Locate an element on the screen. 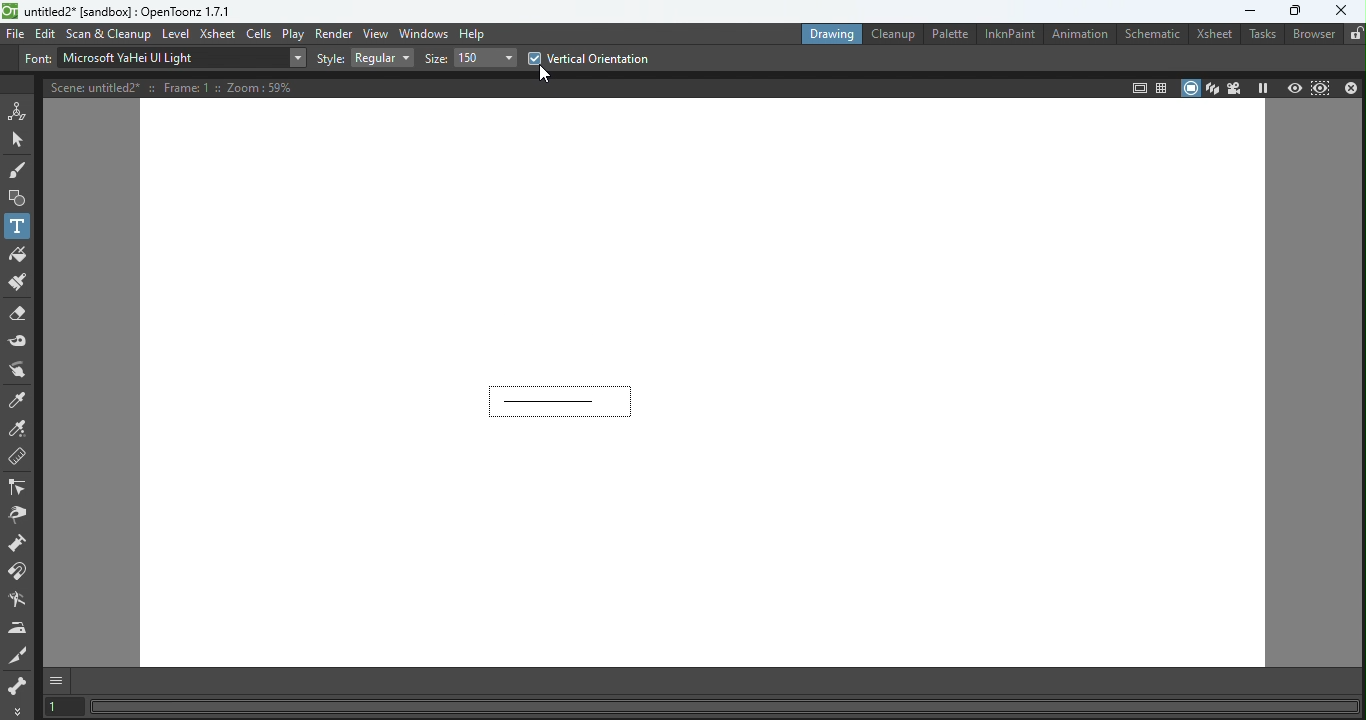 Image resolution: width=1366 pixels, height=720 pixels. Freeze is located at coordinates (1261, 87).